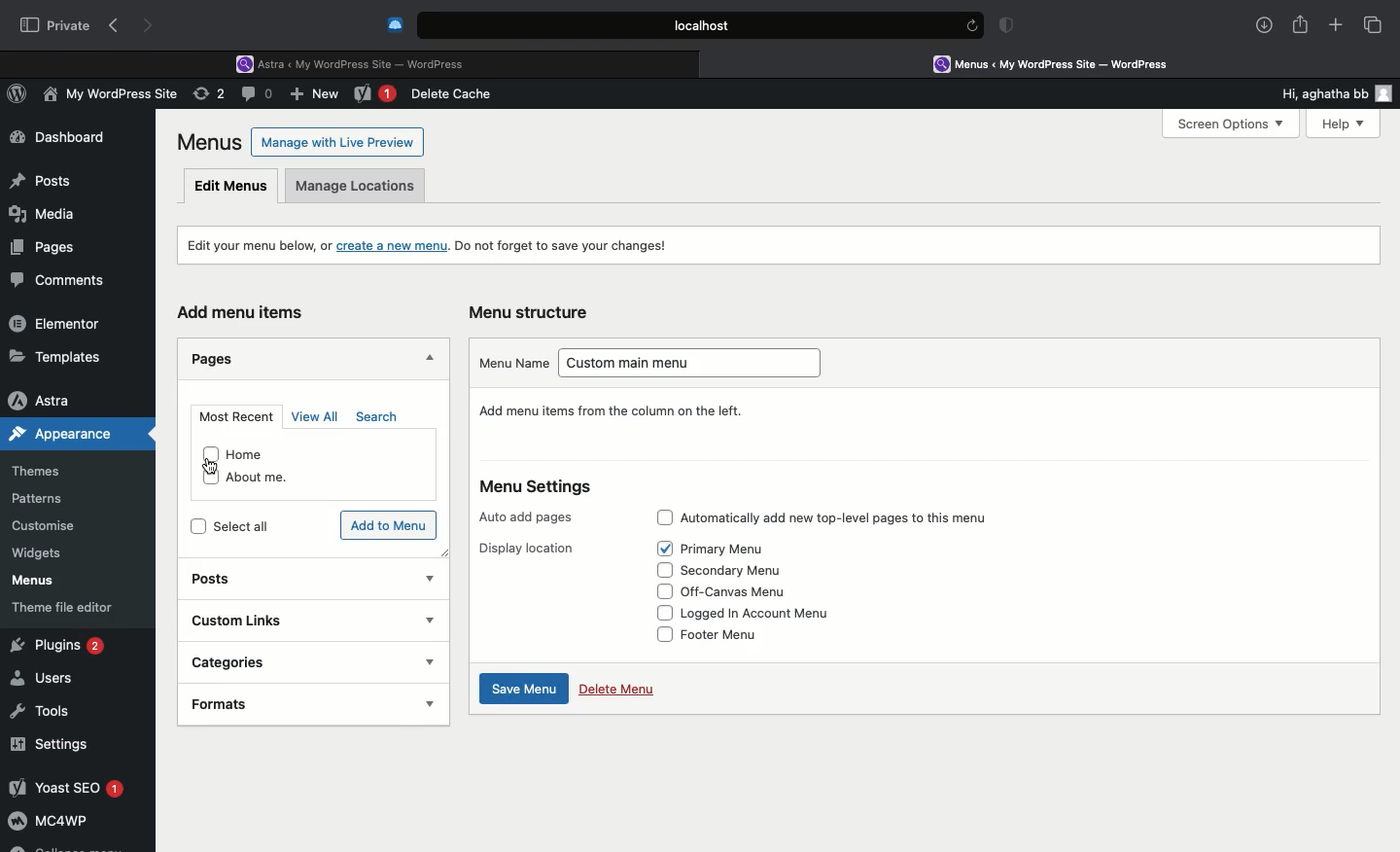 The height and width of the screenshot is (852, 1400). Describe the element at coordinates (394, 244) in the screenshot. I see `create a new menu` at that location.